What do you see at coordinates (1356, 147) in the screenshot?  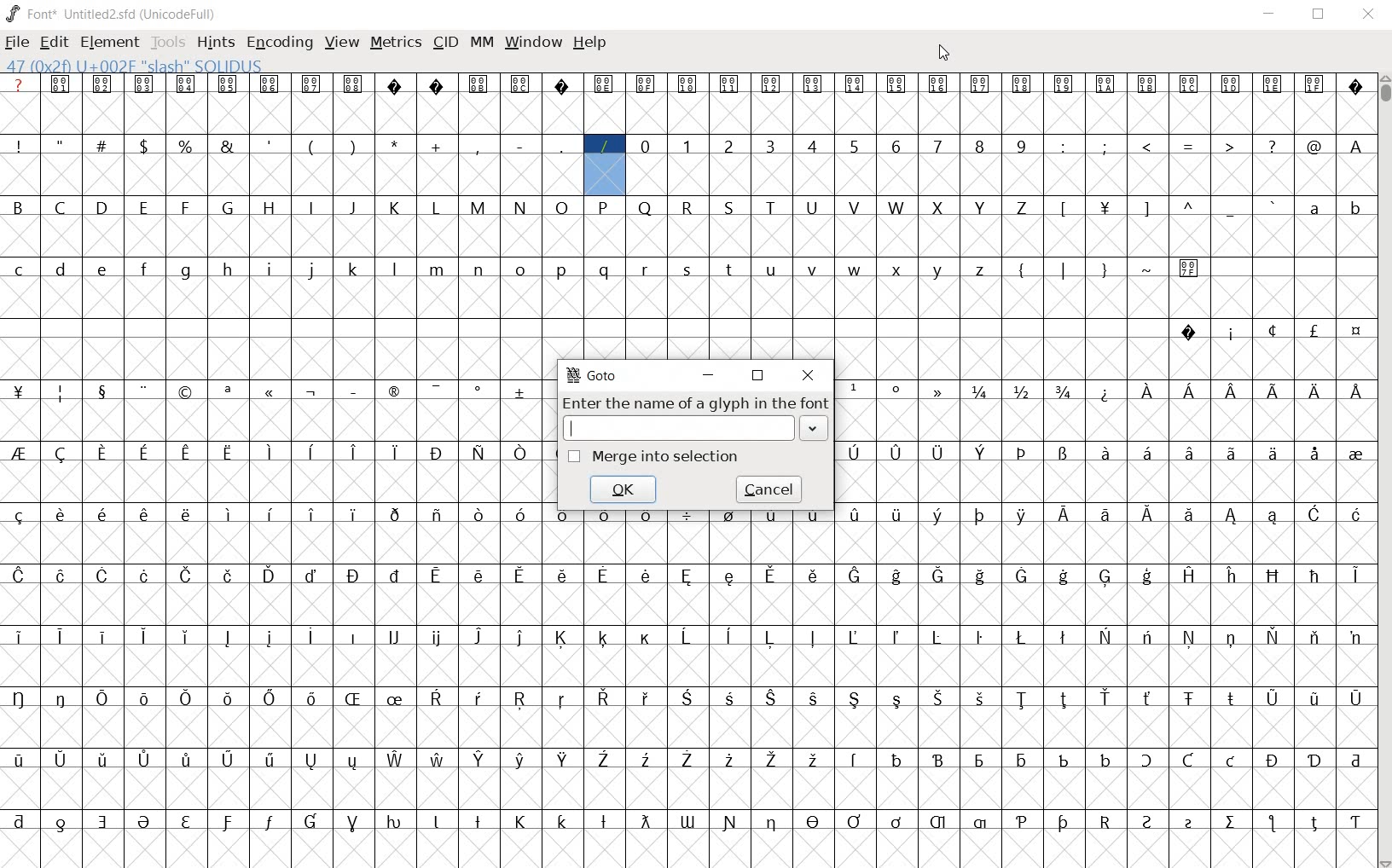 I see `glyph` at bounding box center [1356, 147].